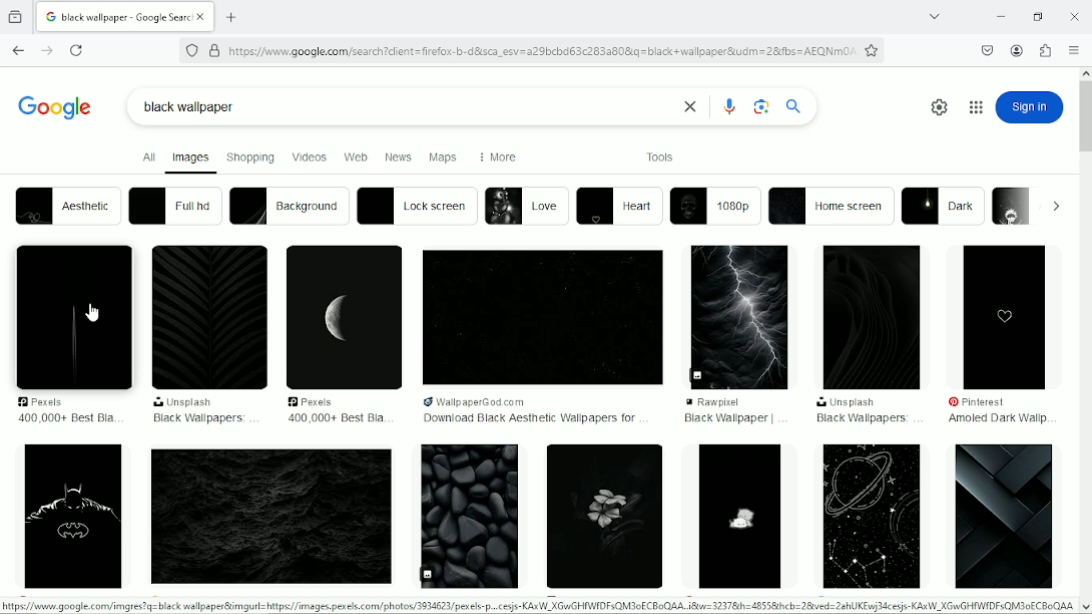 The image size is (1092, 614). What do you see at coordinates (495, 157) in the screenshot?
I see `more` at bounding box center [495, 157].